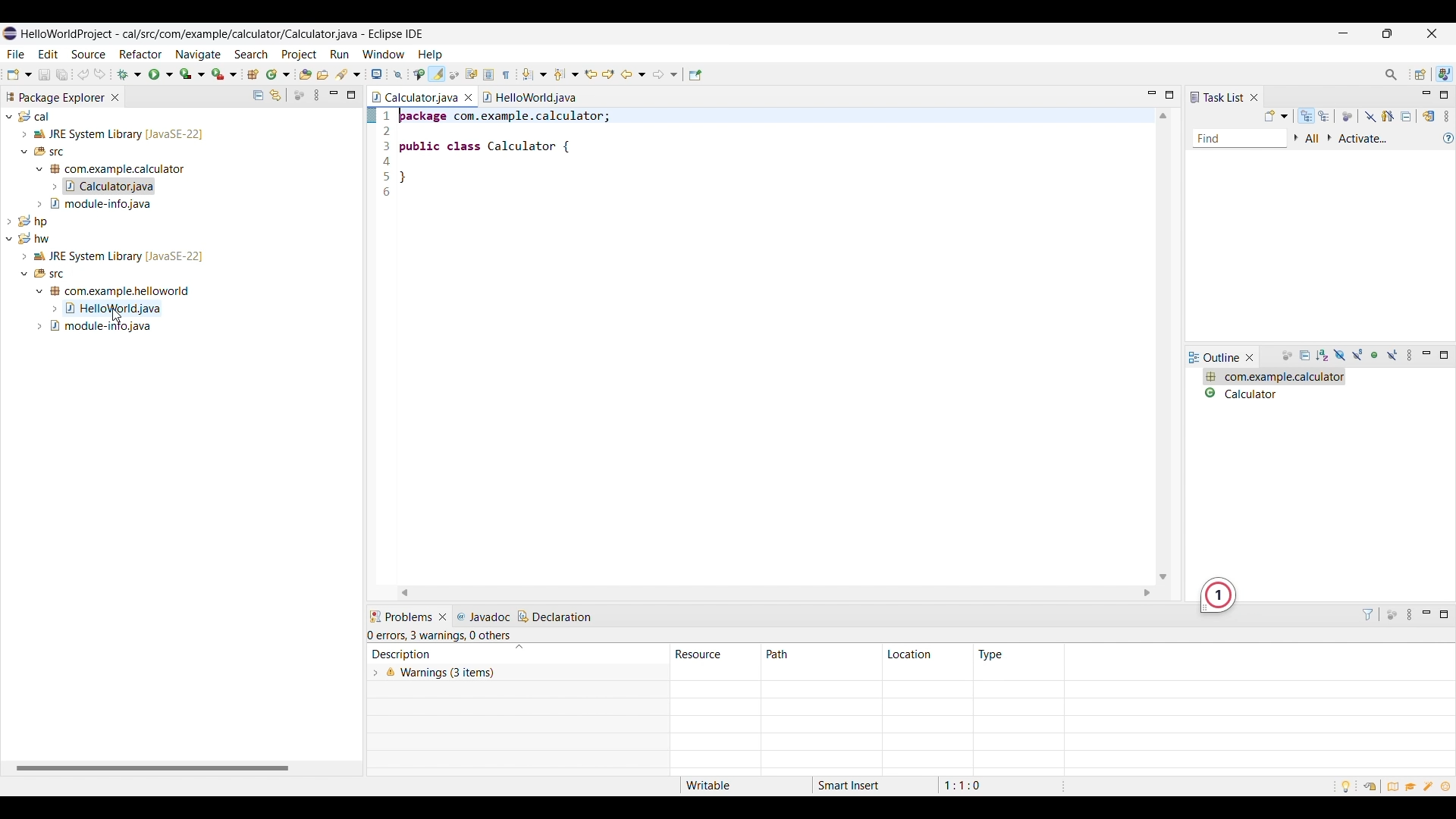  I want to click on Access commands and other items, so click(1391, 74).